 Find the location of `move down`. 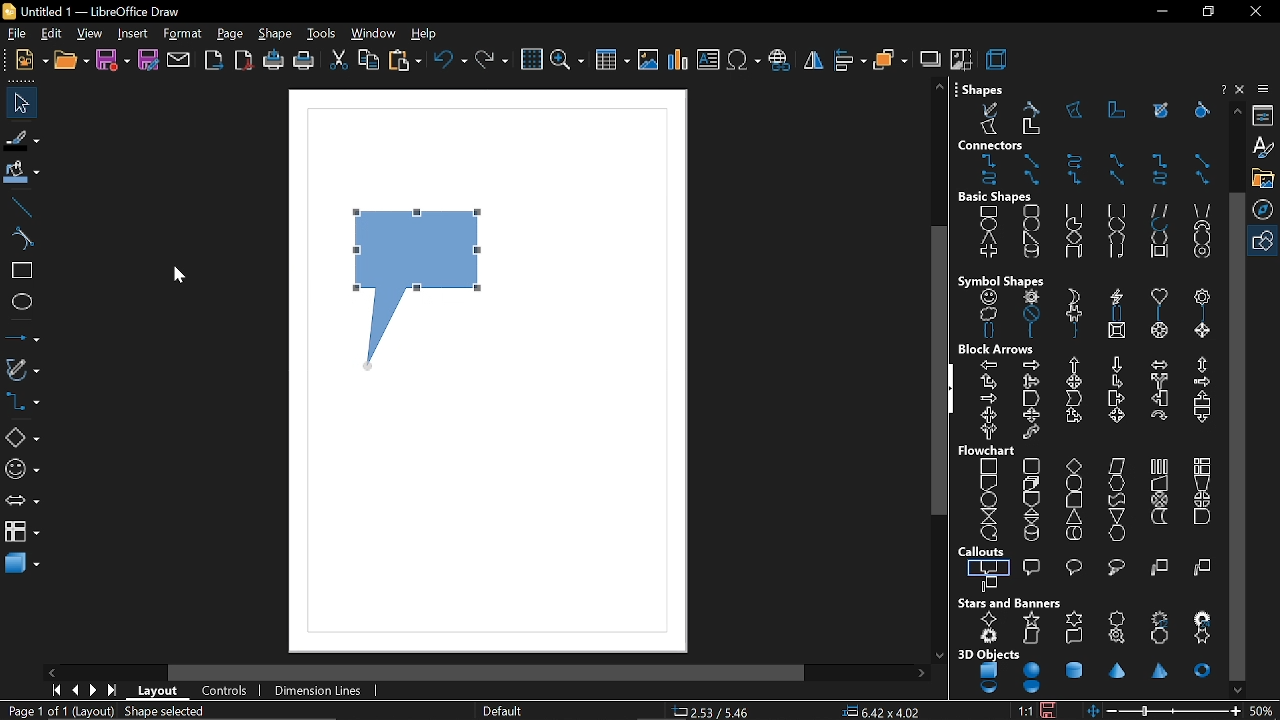

move down is located at coordinates (1237, 690).